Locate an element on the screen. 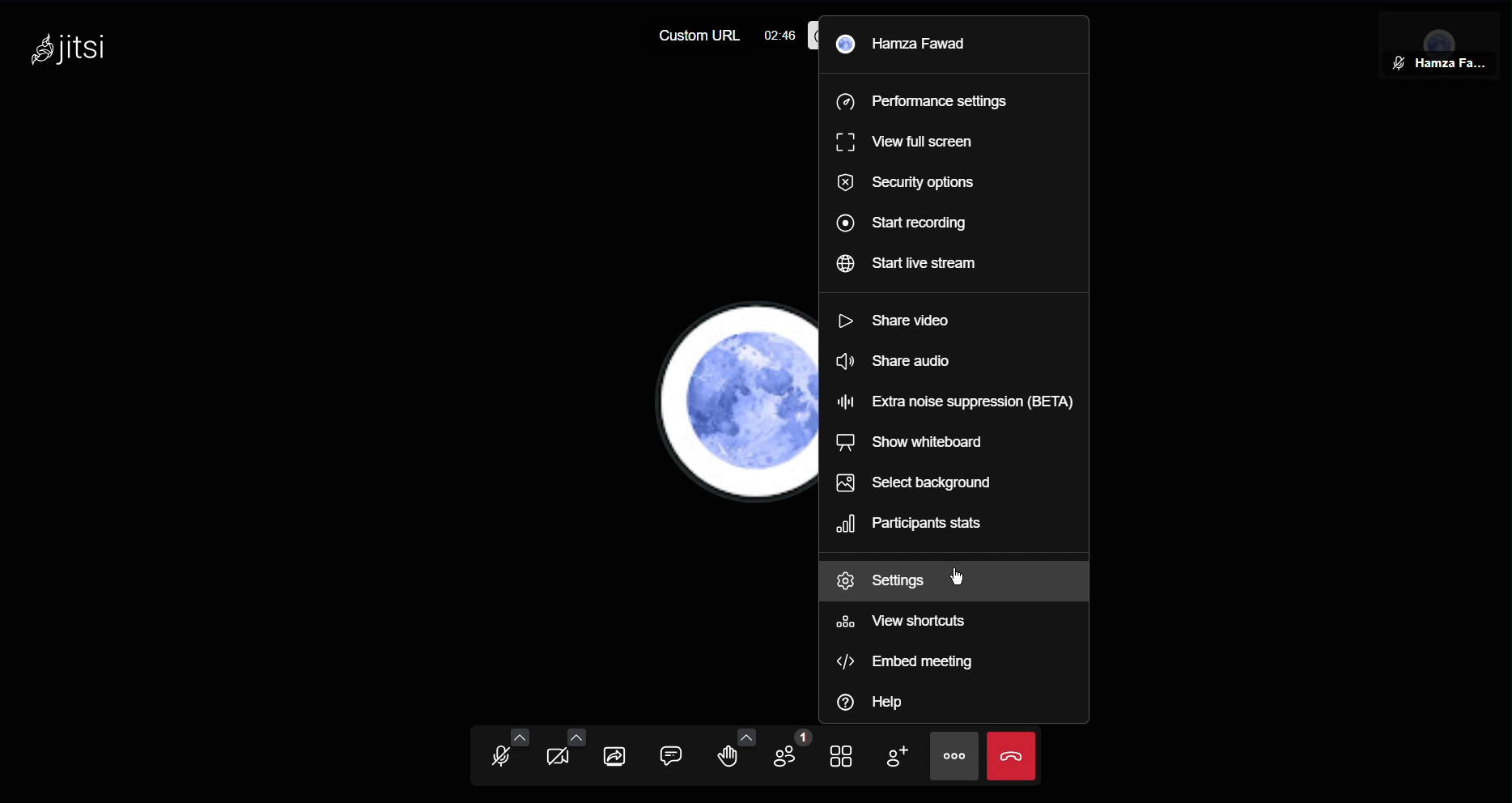  Participant View is located at coordinates (1445, 40).